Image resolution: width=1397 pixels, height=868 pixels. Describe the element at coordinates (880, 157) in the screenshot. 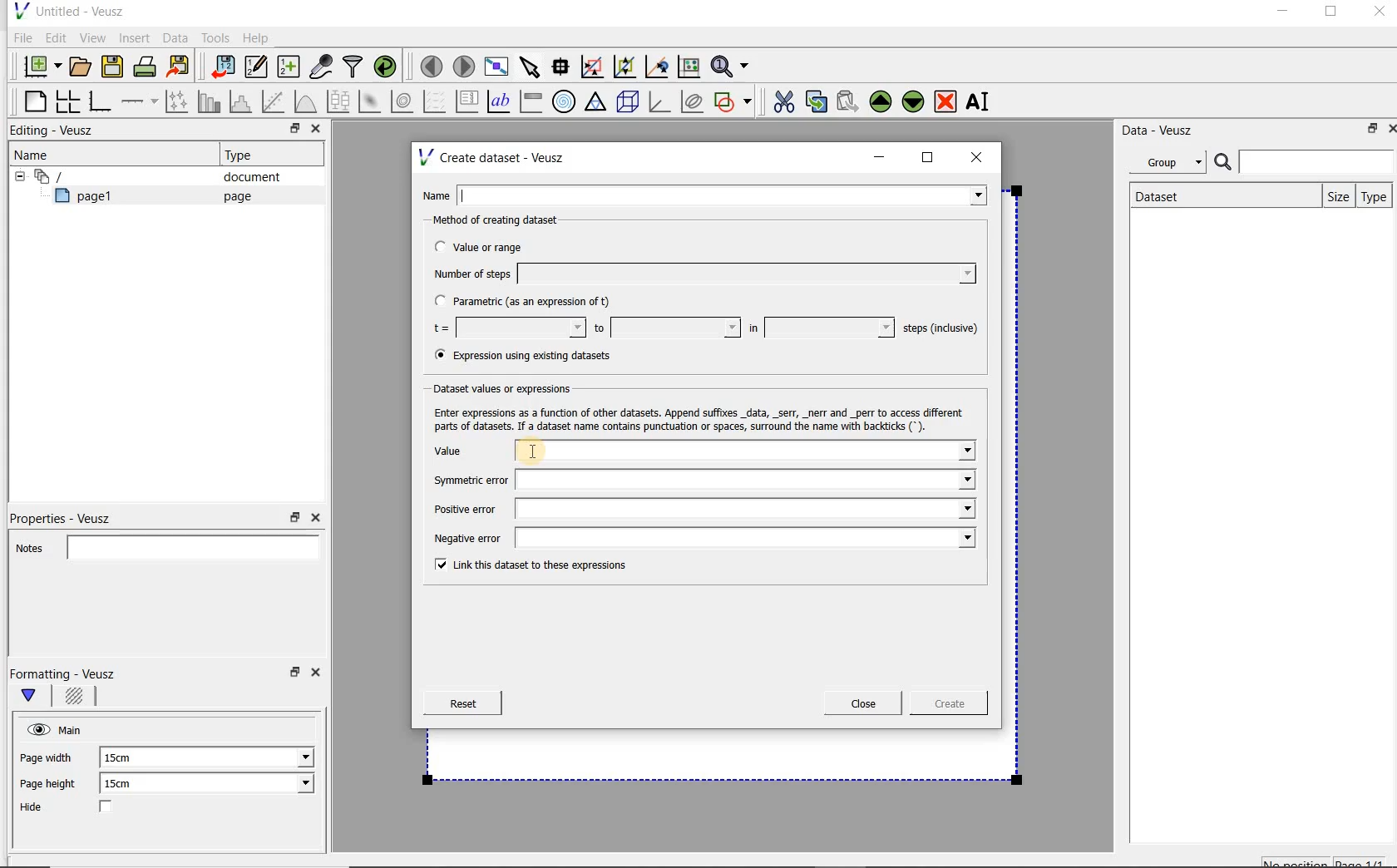

I see `minimize` at that location.